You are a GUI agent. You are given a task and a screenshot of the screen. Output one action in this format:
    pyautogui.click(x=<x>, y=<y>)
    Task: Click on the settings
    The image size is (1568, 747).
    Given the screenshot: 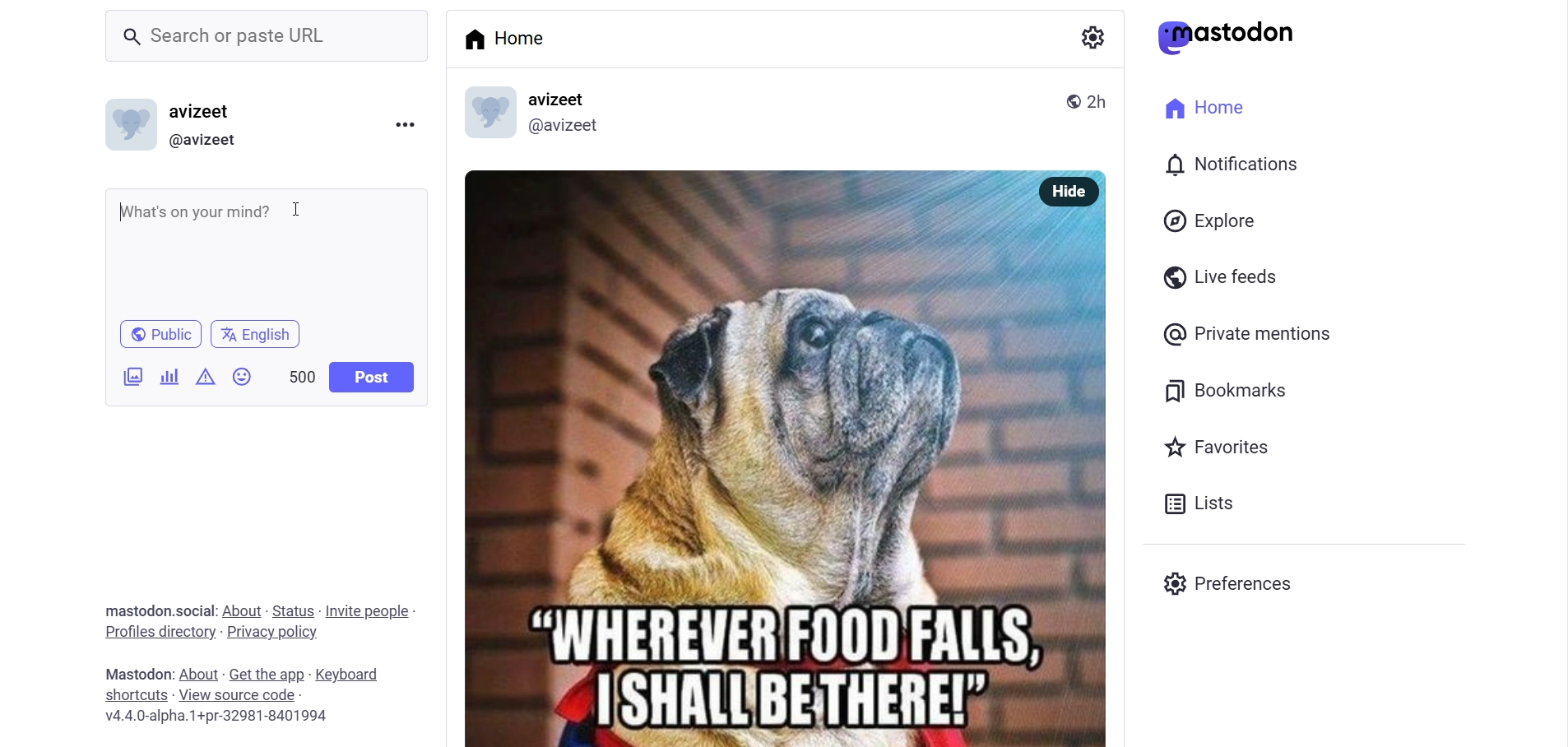 What is the action you would take?
    pyautogui.click(x=1090, y=44)
    